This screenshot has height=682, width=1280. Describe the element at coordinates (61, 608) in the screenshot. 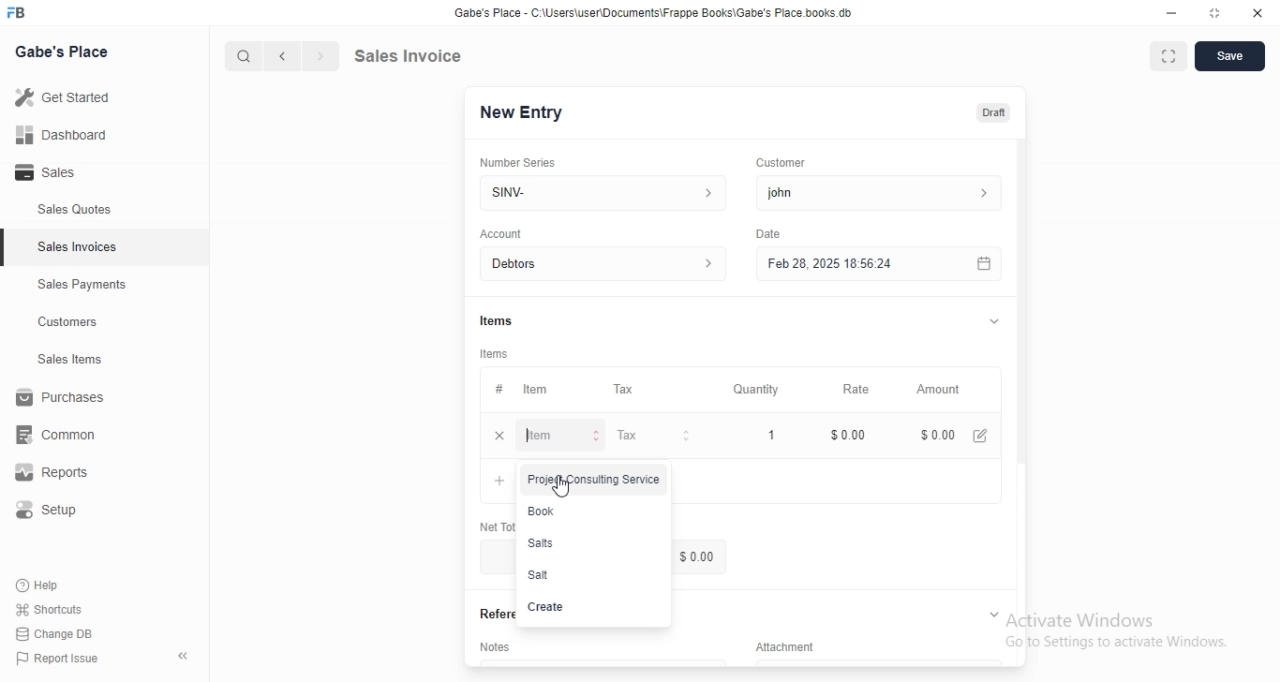

I see `Shortcuts` at that location.